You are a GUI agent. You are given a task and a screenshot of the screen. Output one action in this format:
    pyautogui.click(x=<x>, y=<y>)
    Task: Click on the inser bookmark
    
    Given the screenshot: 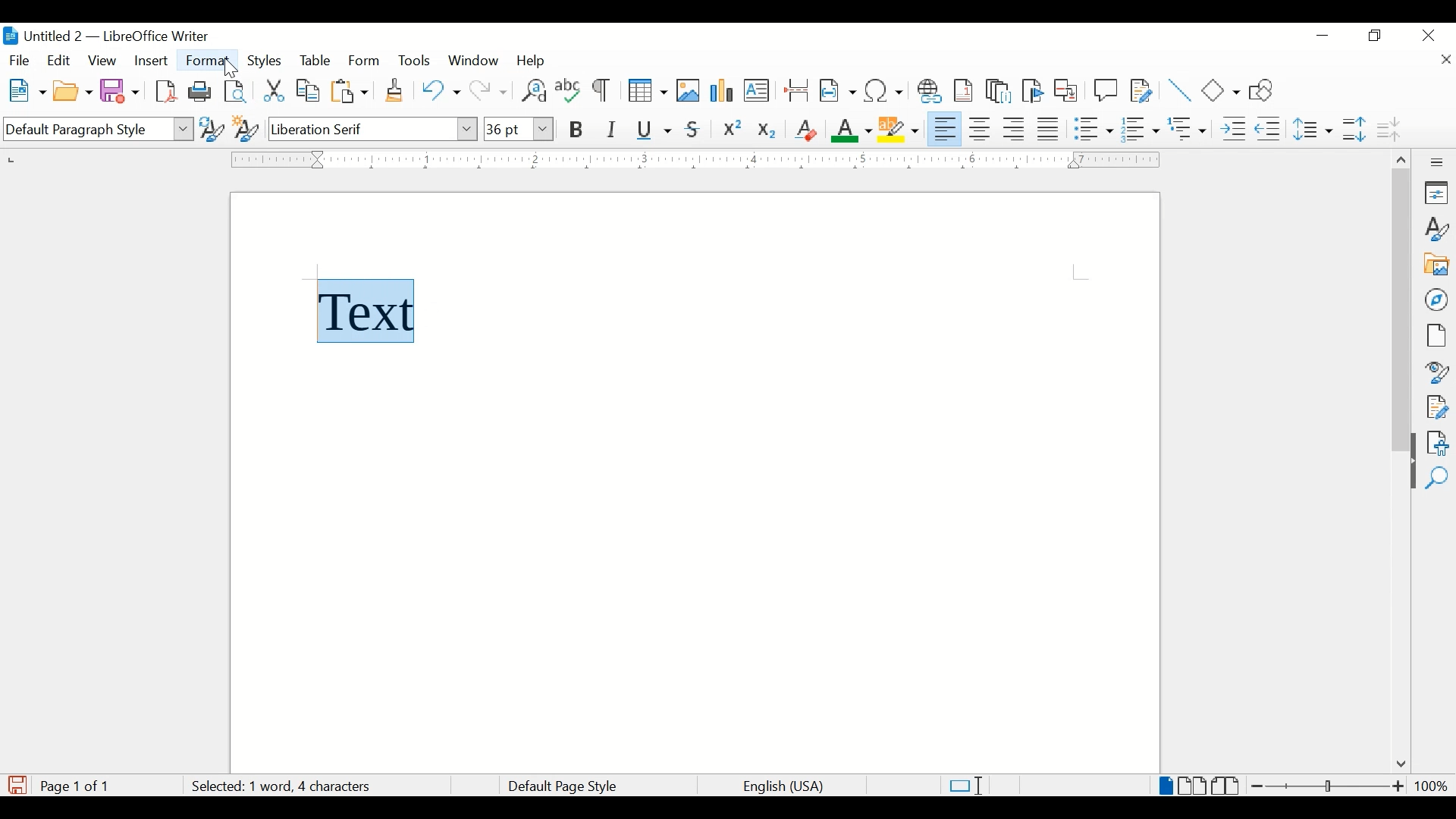 What is the action you would take?
    pyautogui.click(x=1032, y=91)
    